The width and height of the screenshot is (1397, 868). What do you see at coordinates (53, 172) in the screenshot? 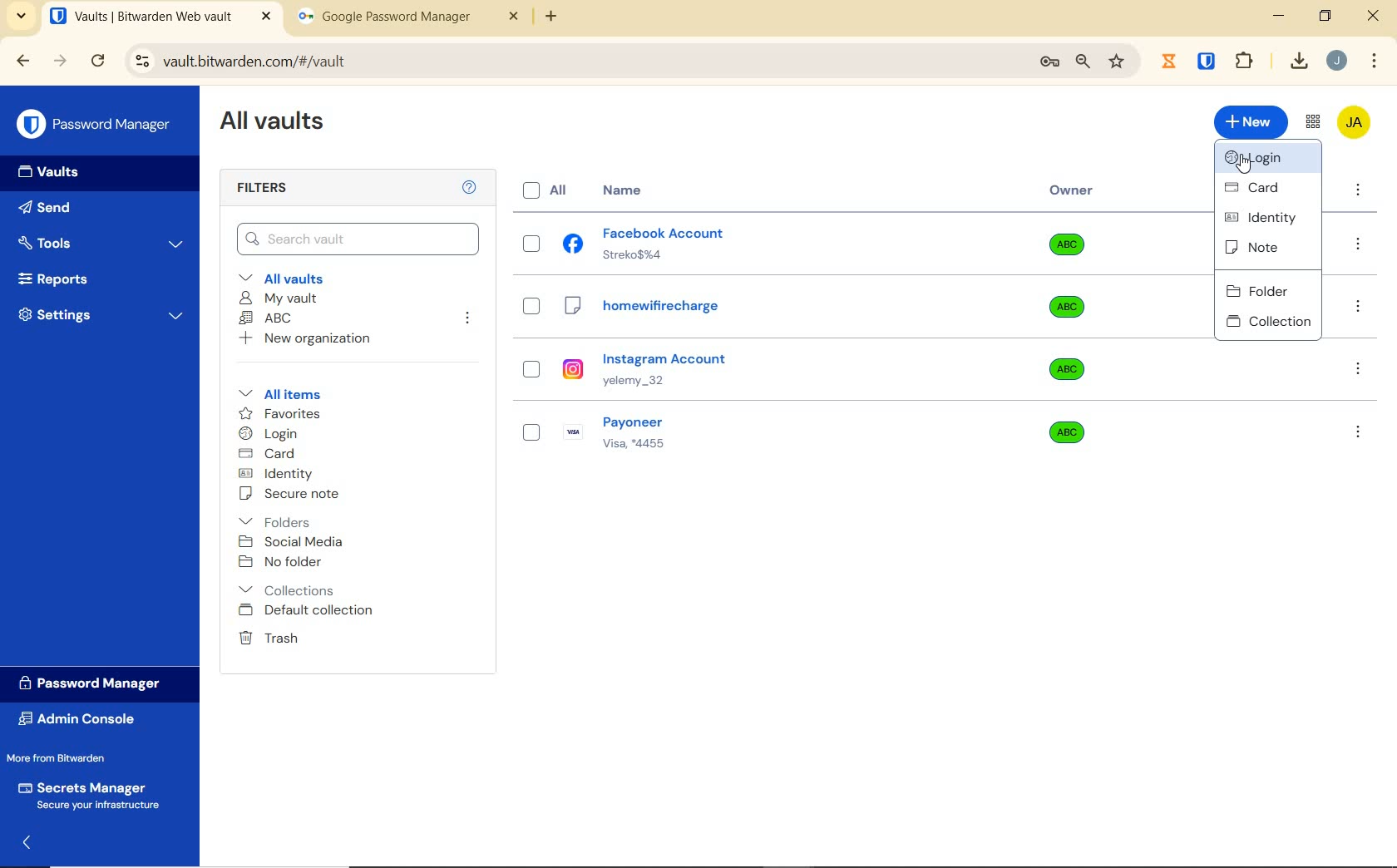
I see `Vaults` at bounding box center [53, 172].